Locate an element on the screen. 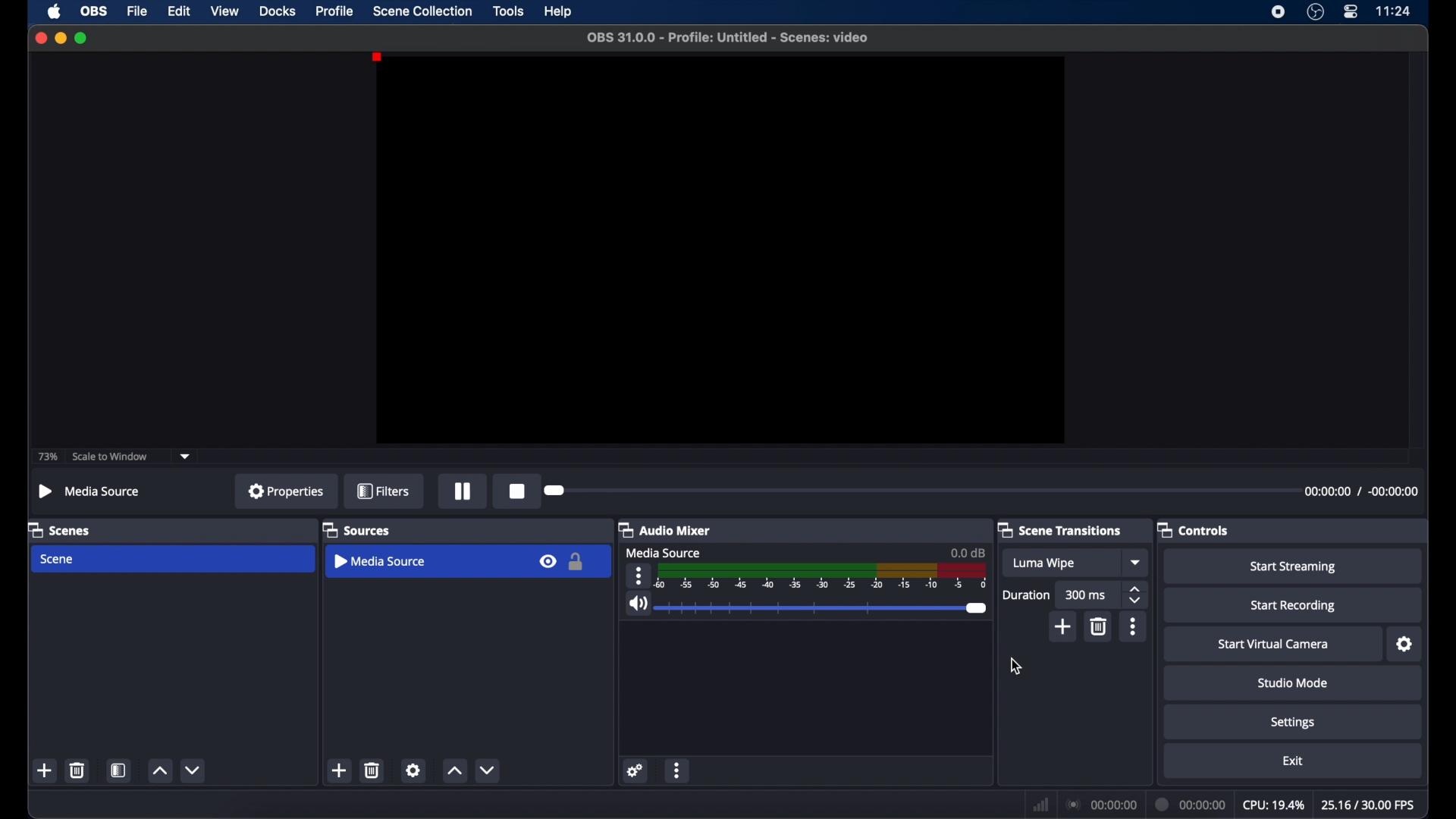  minimize is located at coordinates (60, 38).